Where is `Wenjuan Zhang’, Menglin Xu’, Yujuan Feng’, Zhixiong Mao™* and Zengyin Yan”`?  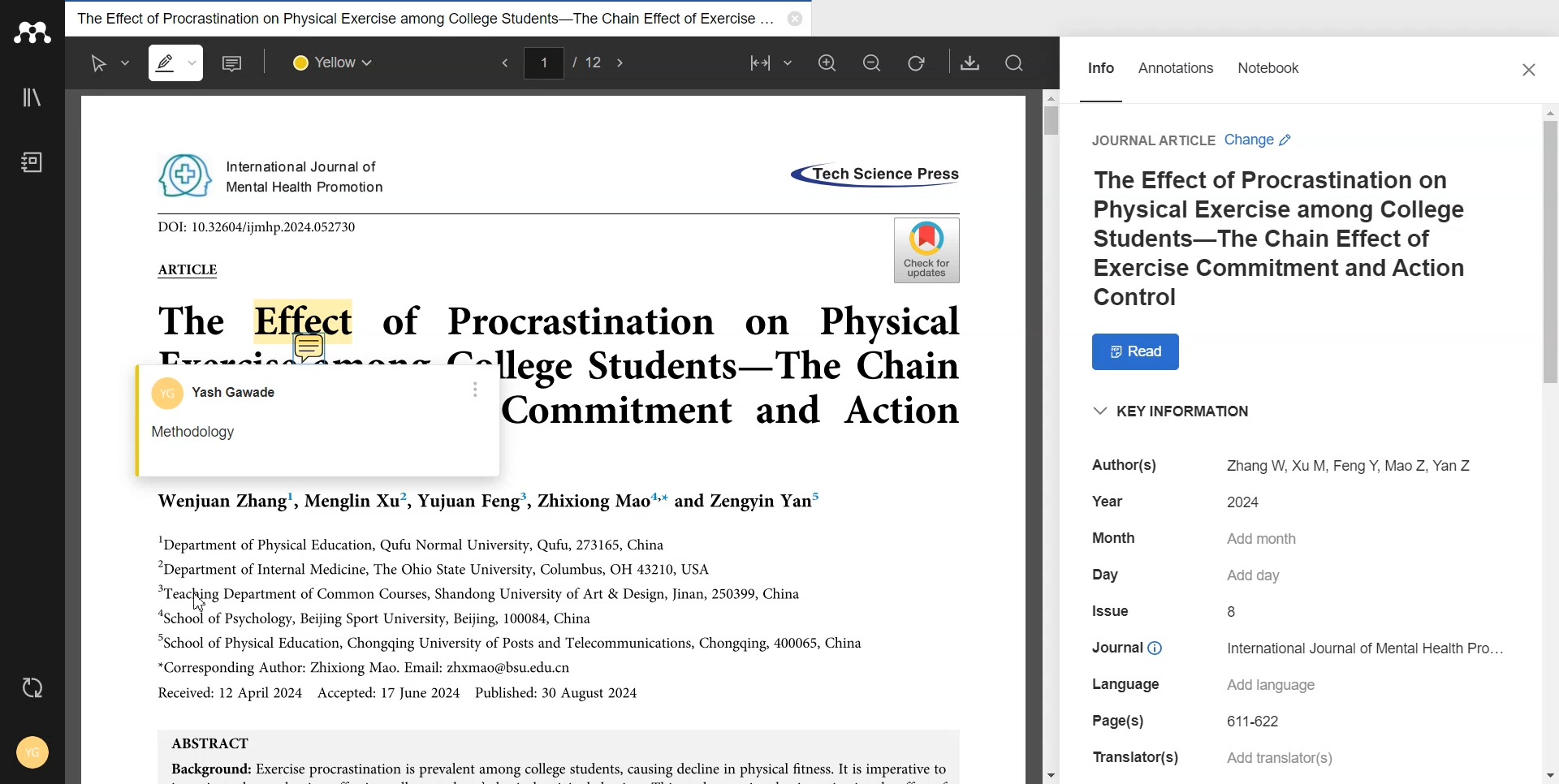
Wenjuan Zhang’, Menglin Xu’, Yujuan Feng’, Zhixiong Mao™* and Zengyin Yan” is located at coordinates (489, 502).